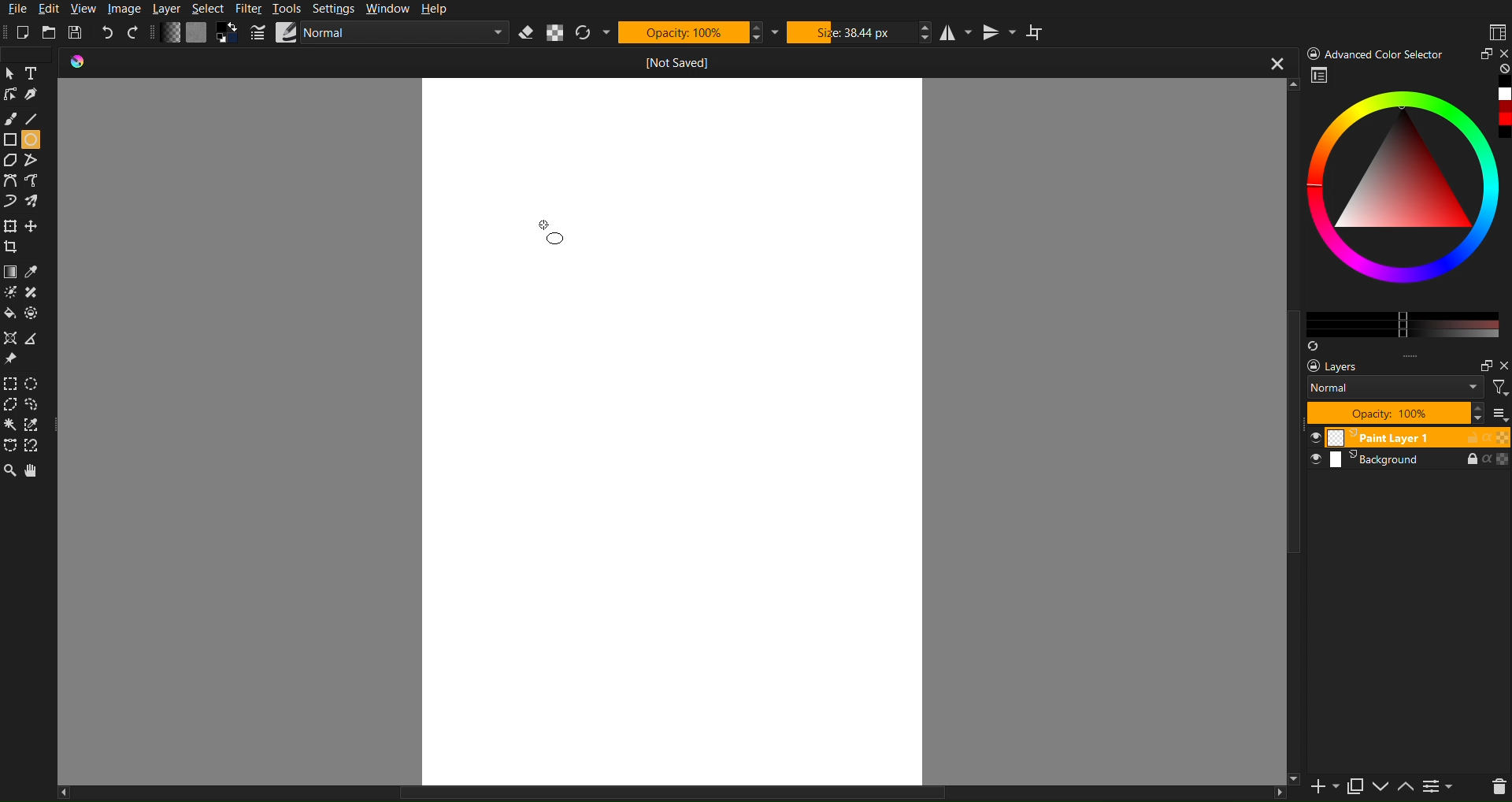  What do you see at coordinates (11, 405) in the screenshot?
I see `Selction polygon` at bounding box center [11, 405].